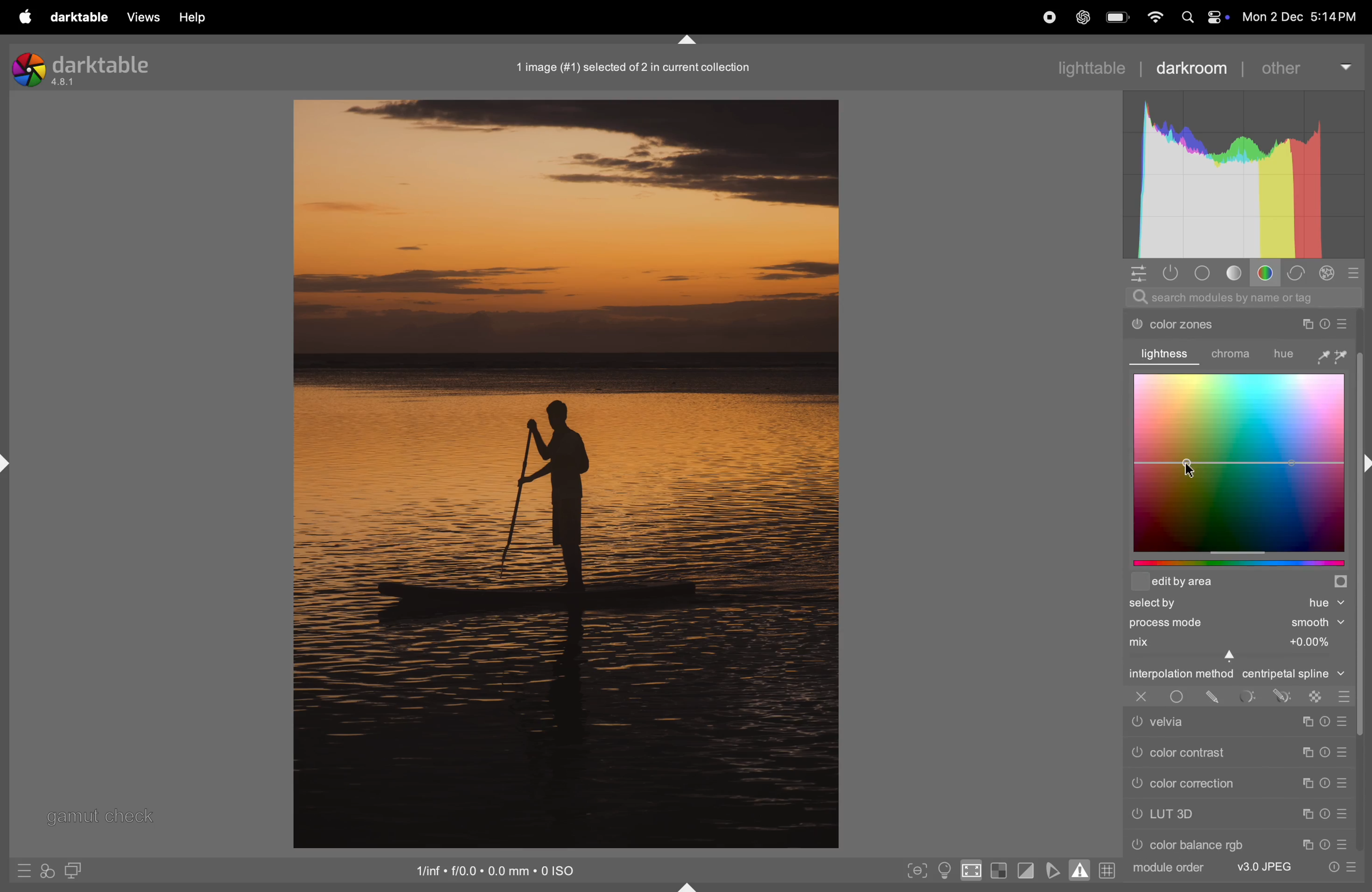  I want to click on preset, so click(1342, 781).